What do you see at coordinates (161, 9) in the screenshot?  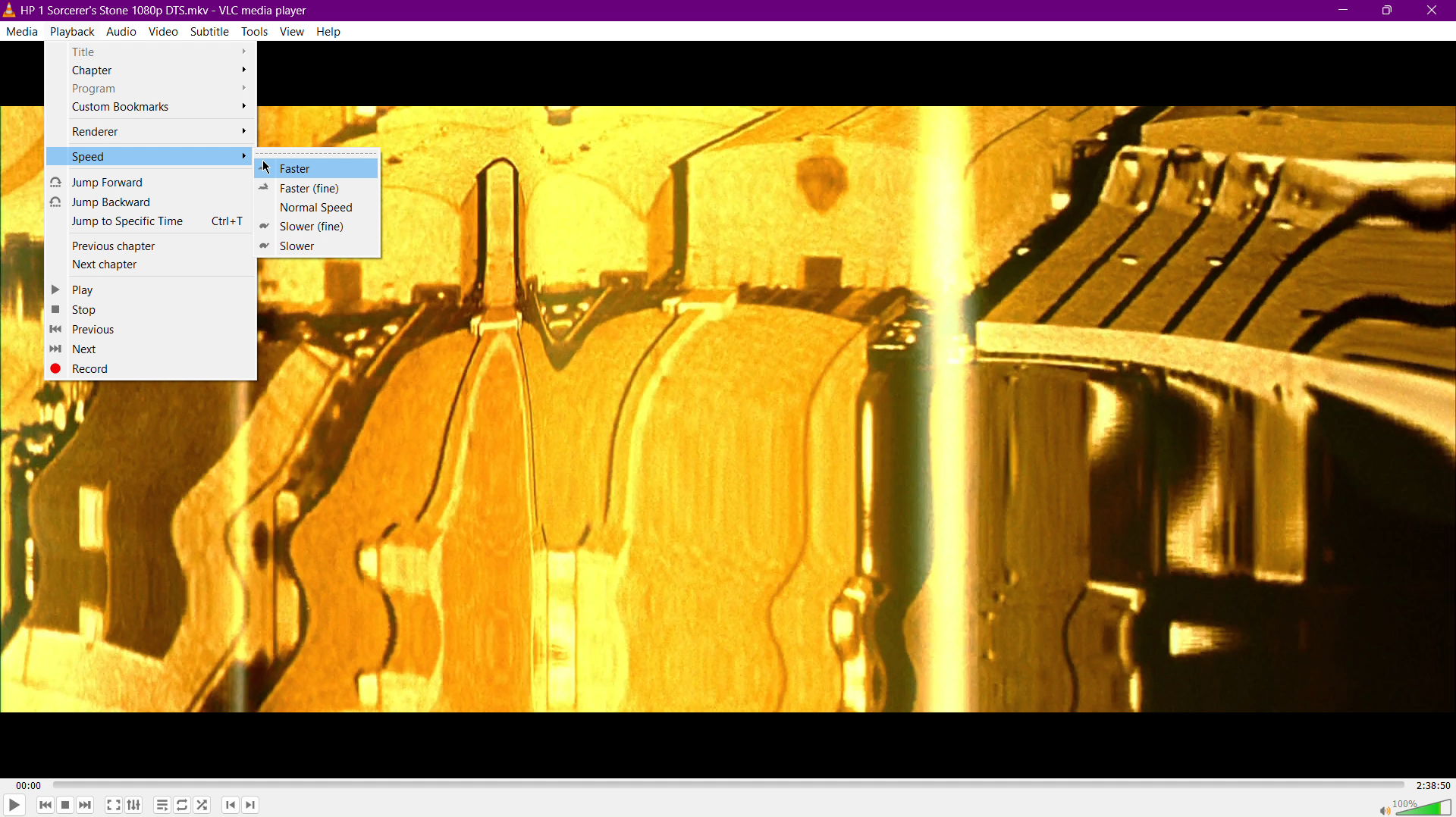 I see `HP | Sorcerrer's Stone 1080p DTS.mkv - VLC media player` at bounding box center [161, 9].